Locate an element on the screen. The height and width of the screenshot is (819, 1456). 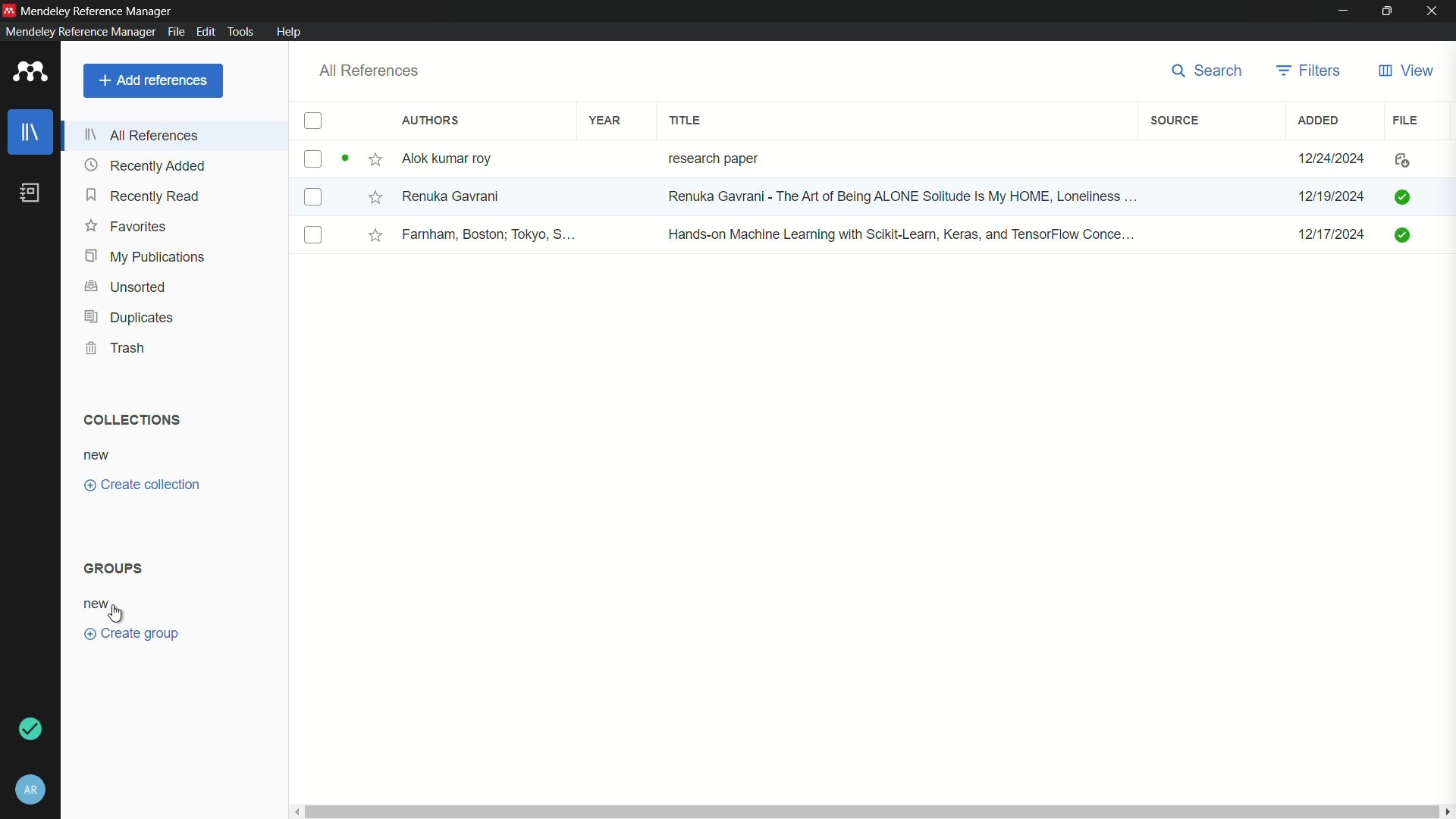
help menu is located at coordinates (290, 32).